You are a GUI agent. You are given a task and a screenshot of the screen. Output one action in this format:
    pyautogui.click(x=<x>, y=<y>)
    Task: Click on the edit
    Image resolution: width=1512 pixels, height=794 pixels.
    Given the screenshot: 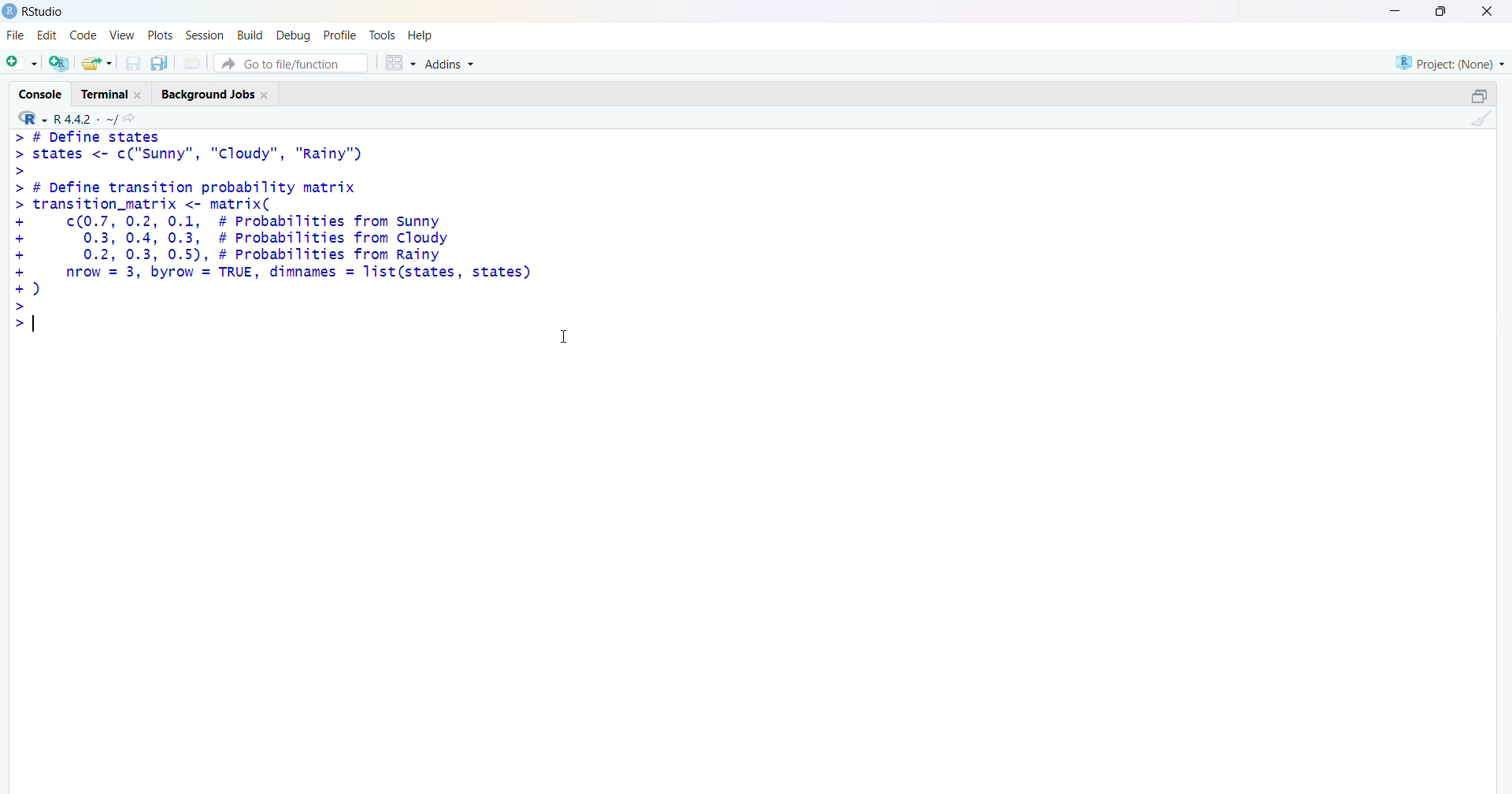 What is the action you would take?
    pyautogui.click(x=48, y=33)
    